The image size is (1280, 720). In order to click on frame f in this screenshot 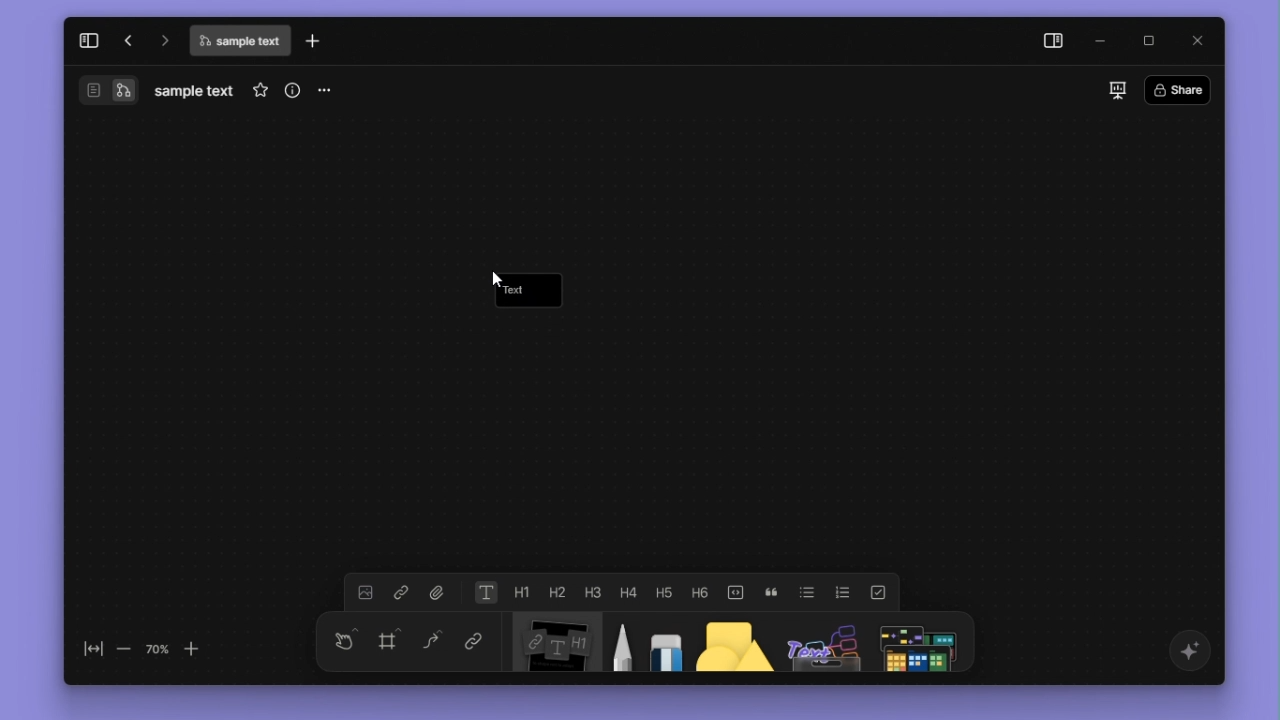, I will do `click(390, 641)`.